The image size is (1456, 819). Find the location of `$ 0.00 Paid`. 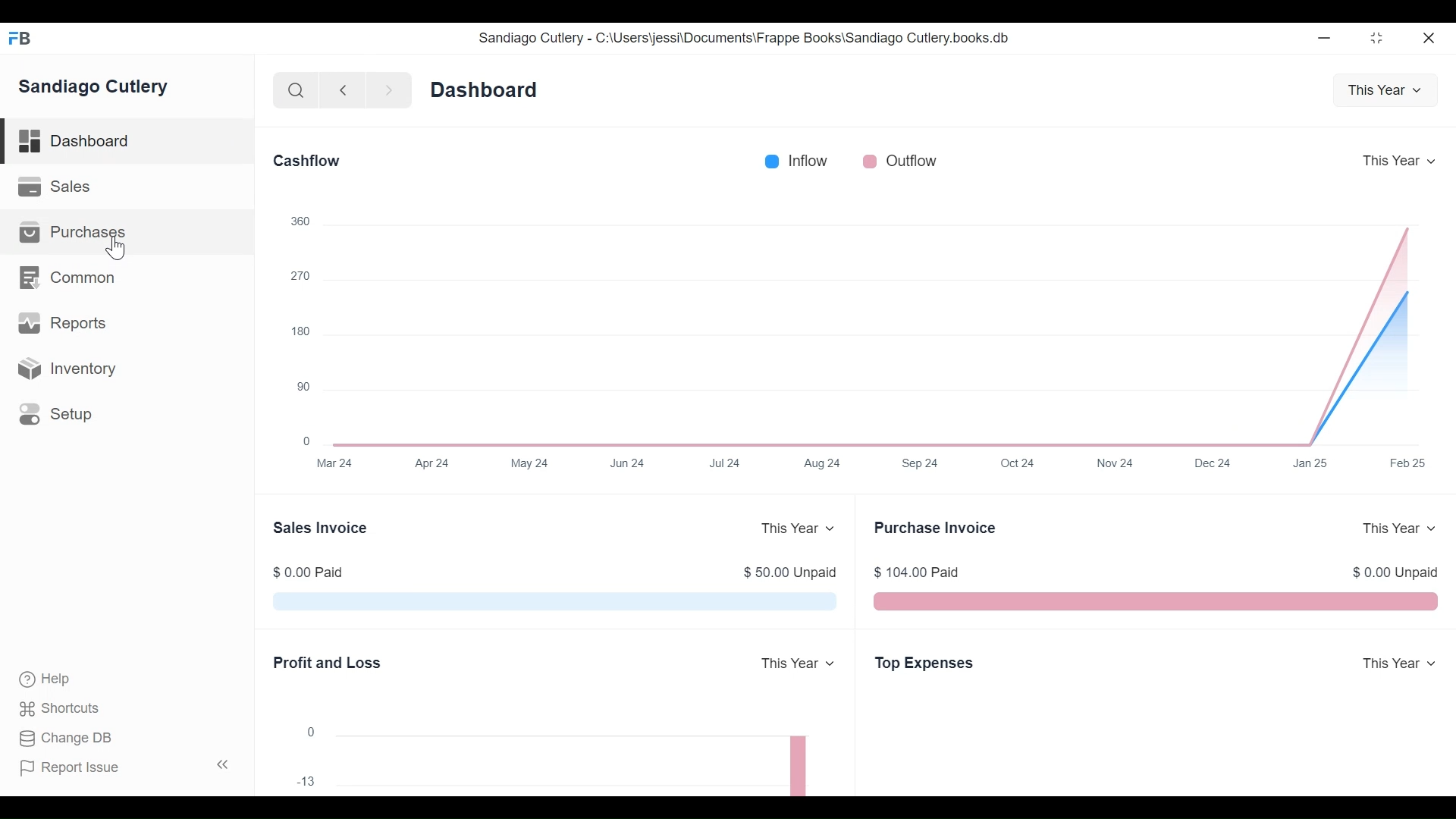

$ 0.00 Paid is located at coordinates (308, 571).